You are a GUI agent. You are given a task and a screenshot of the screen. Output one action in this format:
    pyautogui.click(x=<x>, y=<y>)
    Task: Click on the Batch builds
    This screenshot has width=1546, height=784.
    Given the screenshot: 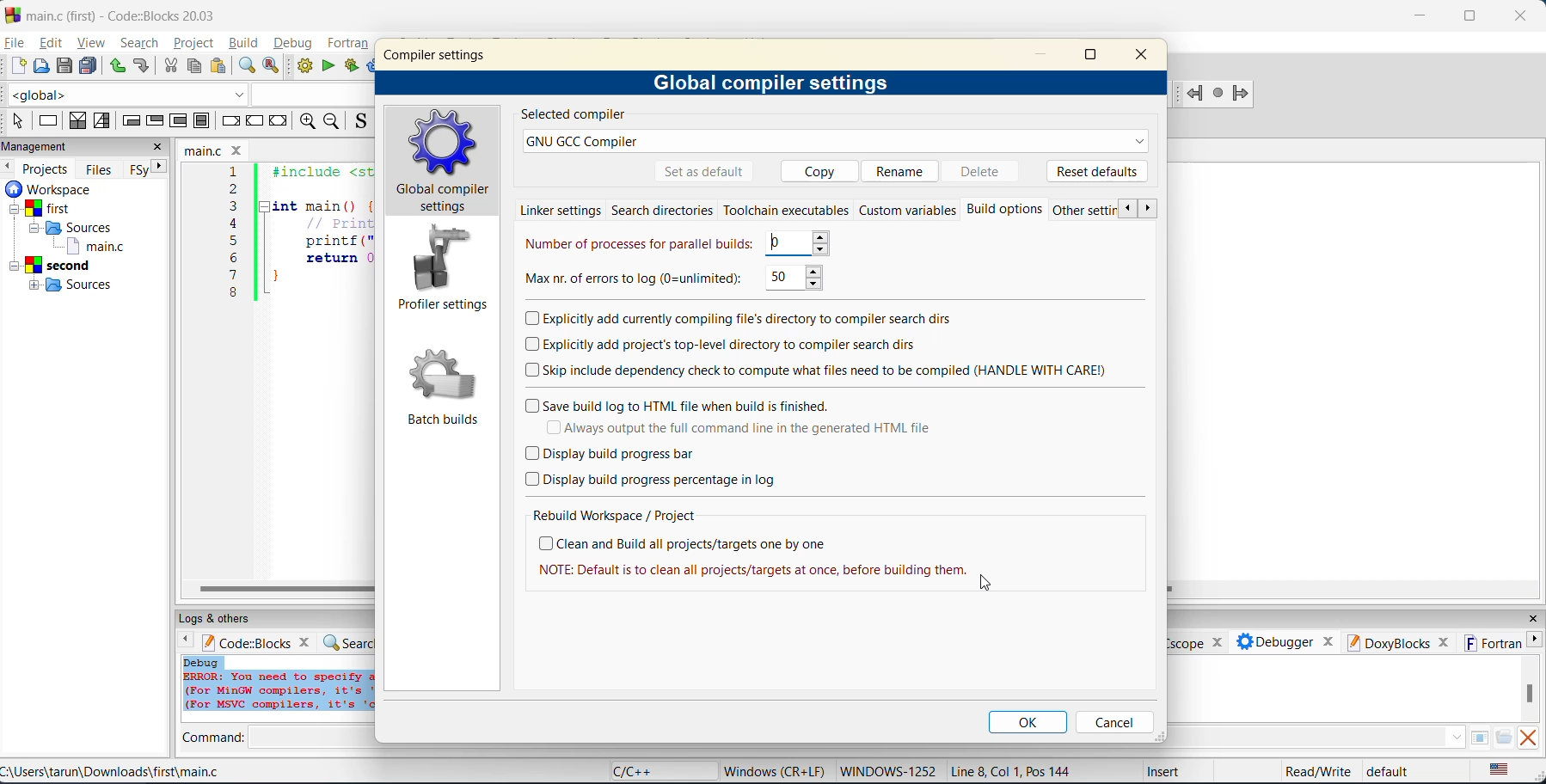 What is the action you would take?
    pyautogui.click(x=443, y=383)
    